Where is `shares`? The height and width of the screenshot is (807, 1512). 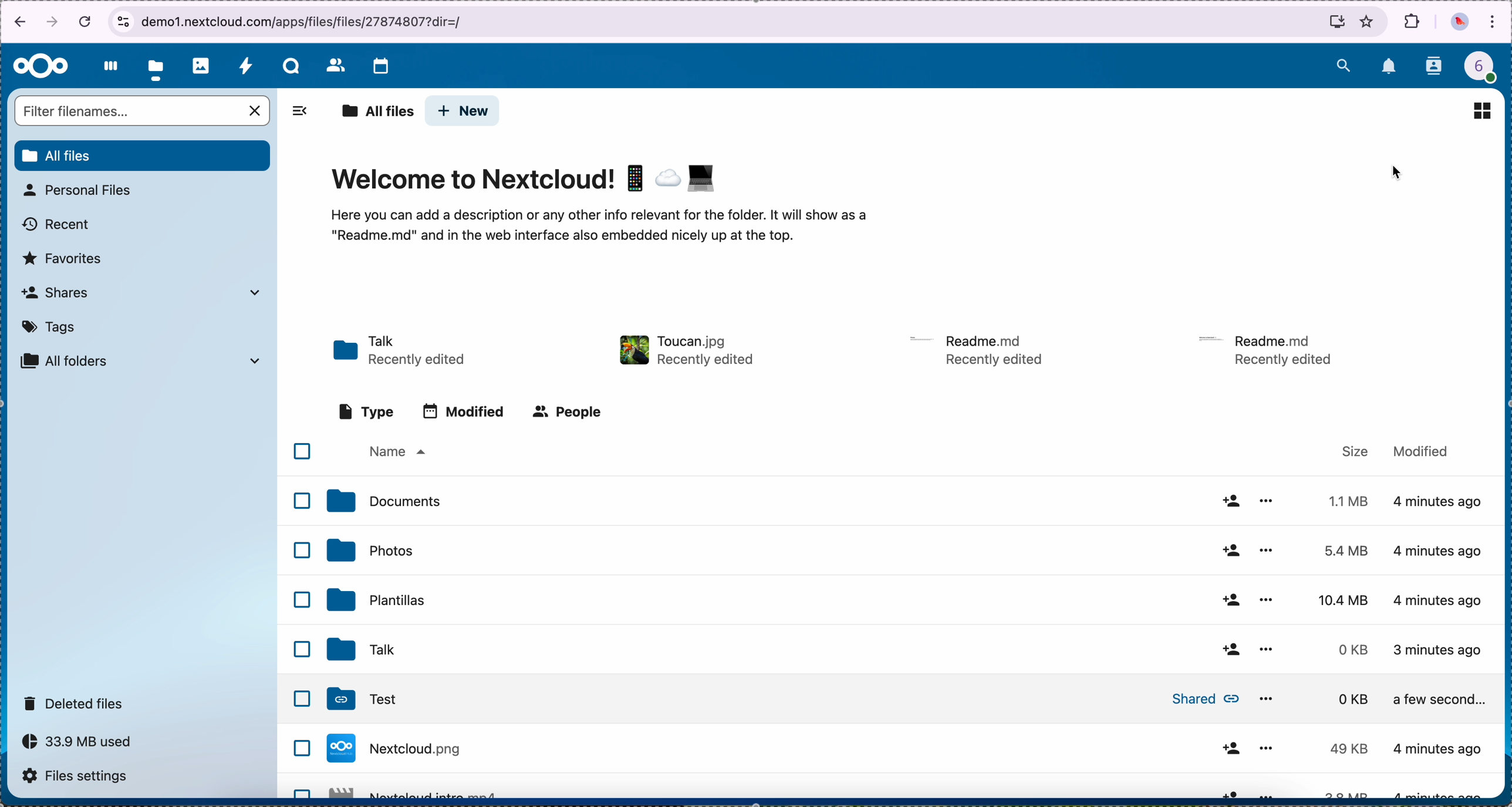
shares is located at coordinates (140, 292).